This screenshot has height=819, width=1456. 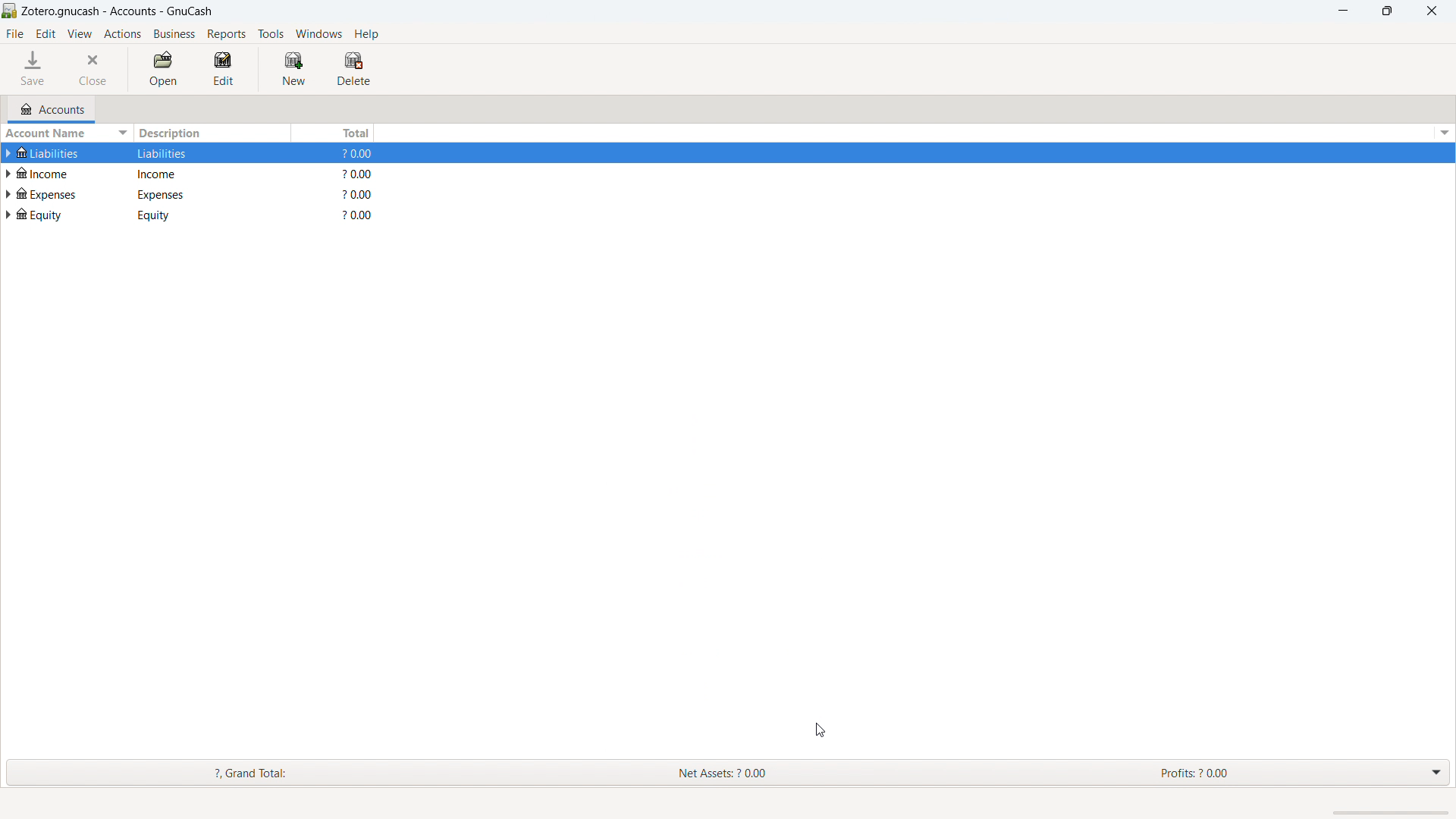 I want to click on delete, so click(x=353, y=69).